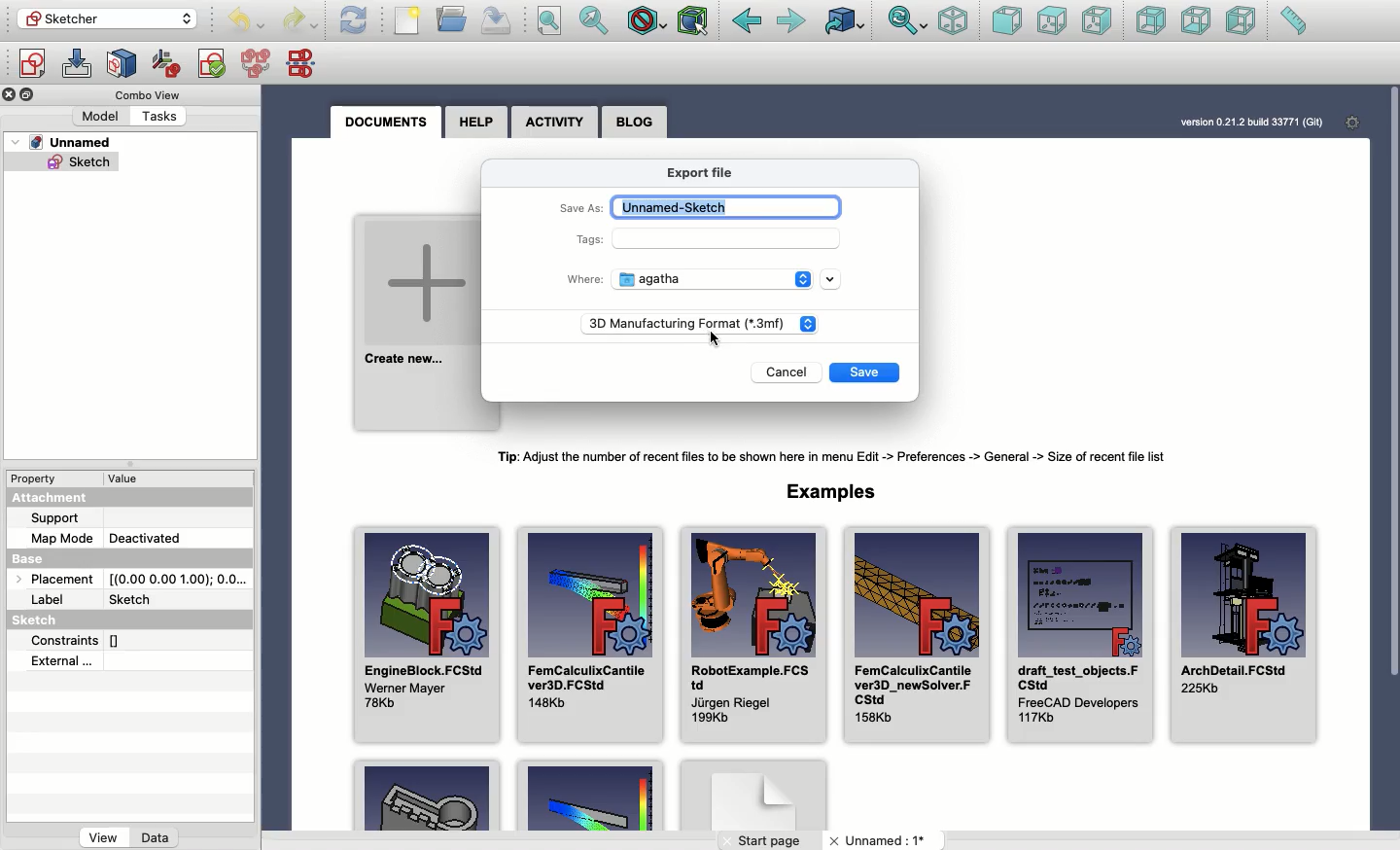  Describe the element at coordinates (79, 65) in the screenshot. I see `Edit sketch` at that location.